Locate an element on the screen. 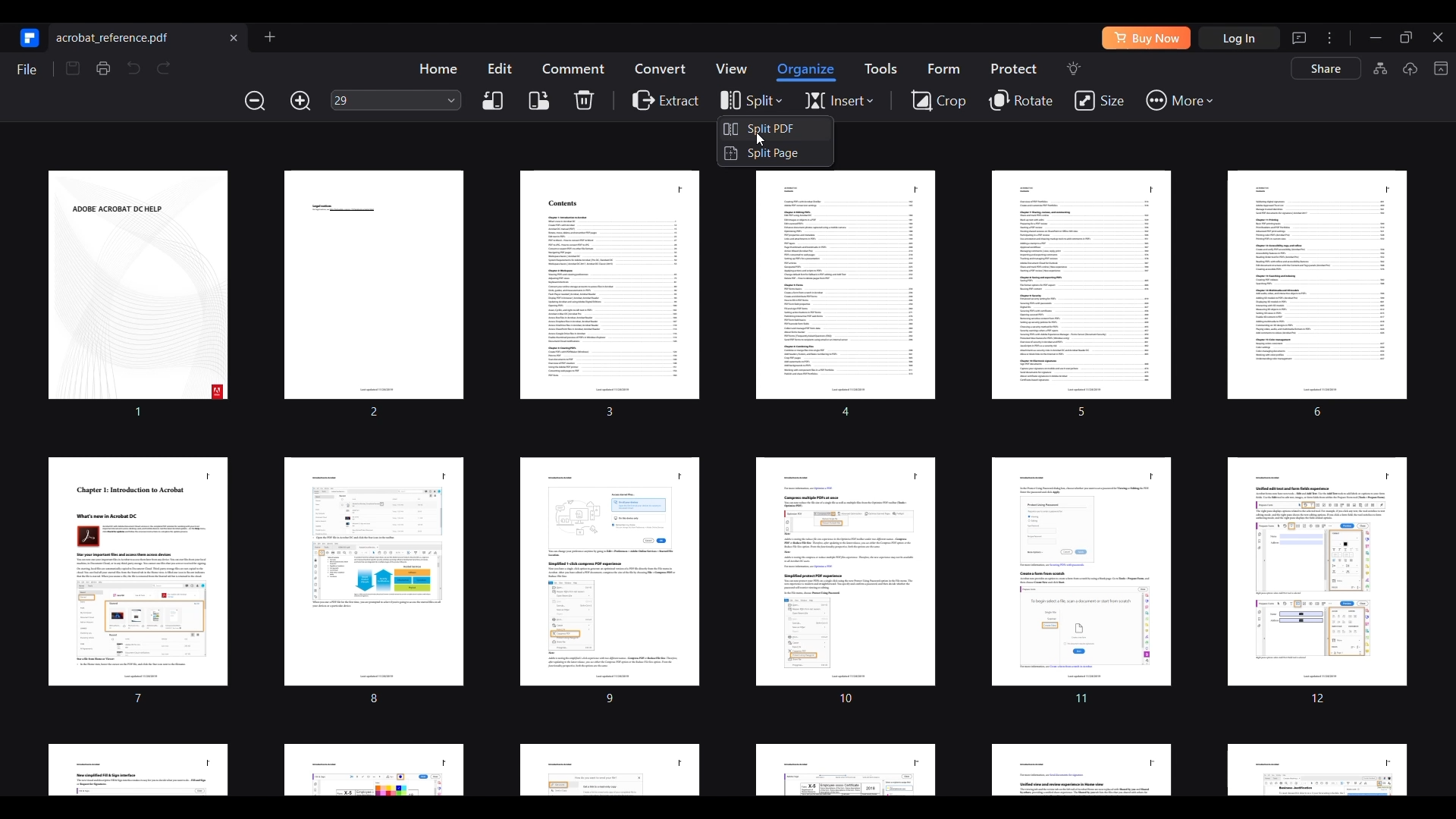 This screenshot has height=819, width=1456. Extract PDF is located at coordinates (666, 99).